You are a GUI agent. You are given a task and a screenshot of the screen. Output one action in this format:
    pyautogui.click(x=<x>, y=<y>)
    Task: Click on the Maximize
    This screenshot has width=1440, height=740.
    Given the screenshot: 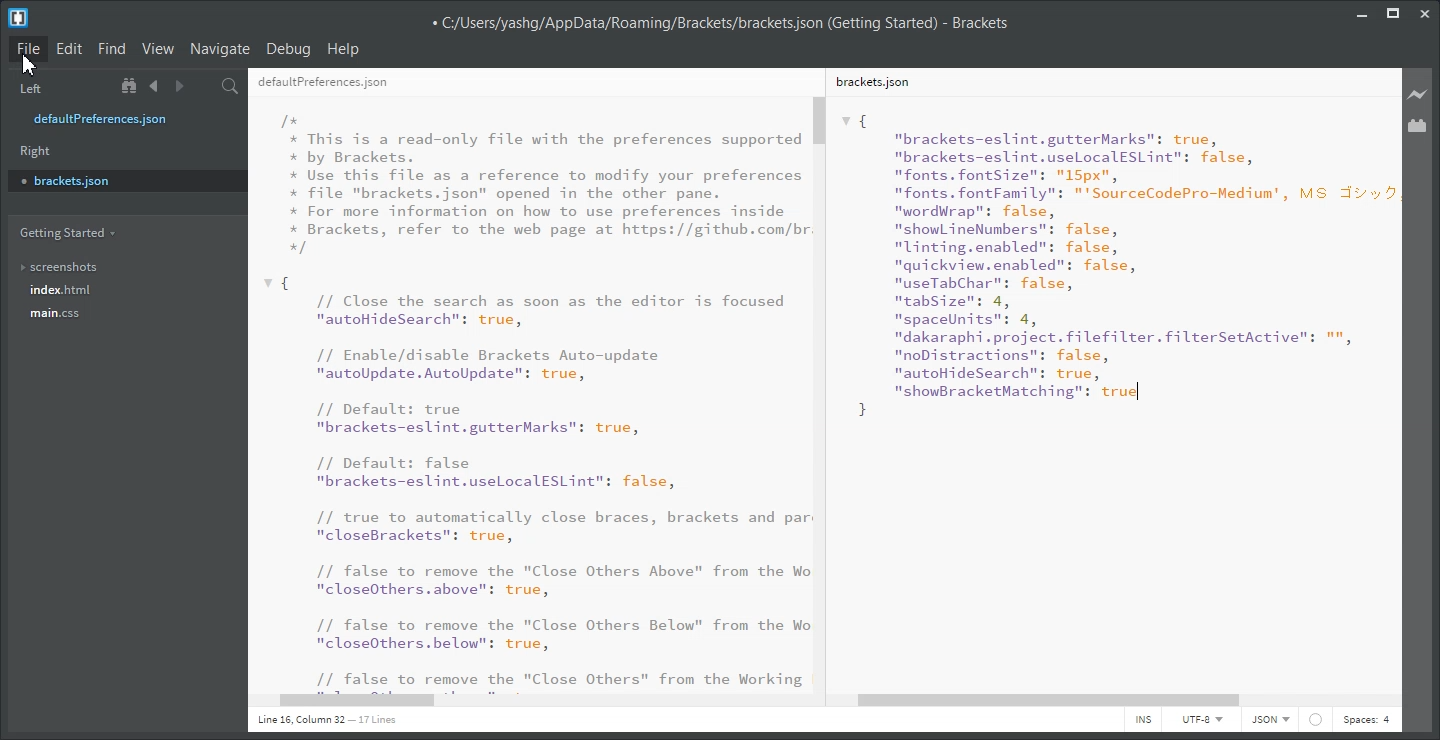 What is the action you would take?
    pyautogui.click(x=1393, y=11)
    